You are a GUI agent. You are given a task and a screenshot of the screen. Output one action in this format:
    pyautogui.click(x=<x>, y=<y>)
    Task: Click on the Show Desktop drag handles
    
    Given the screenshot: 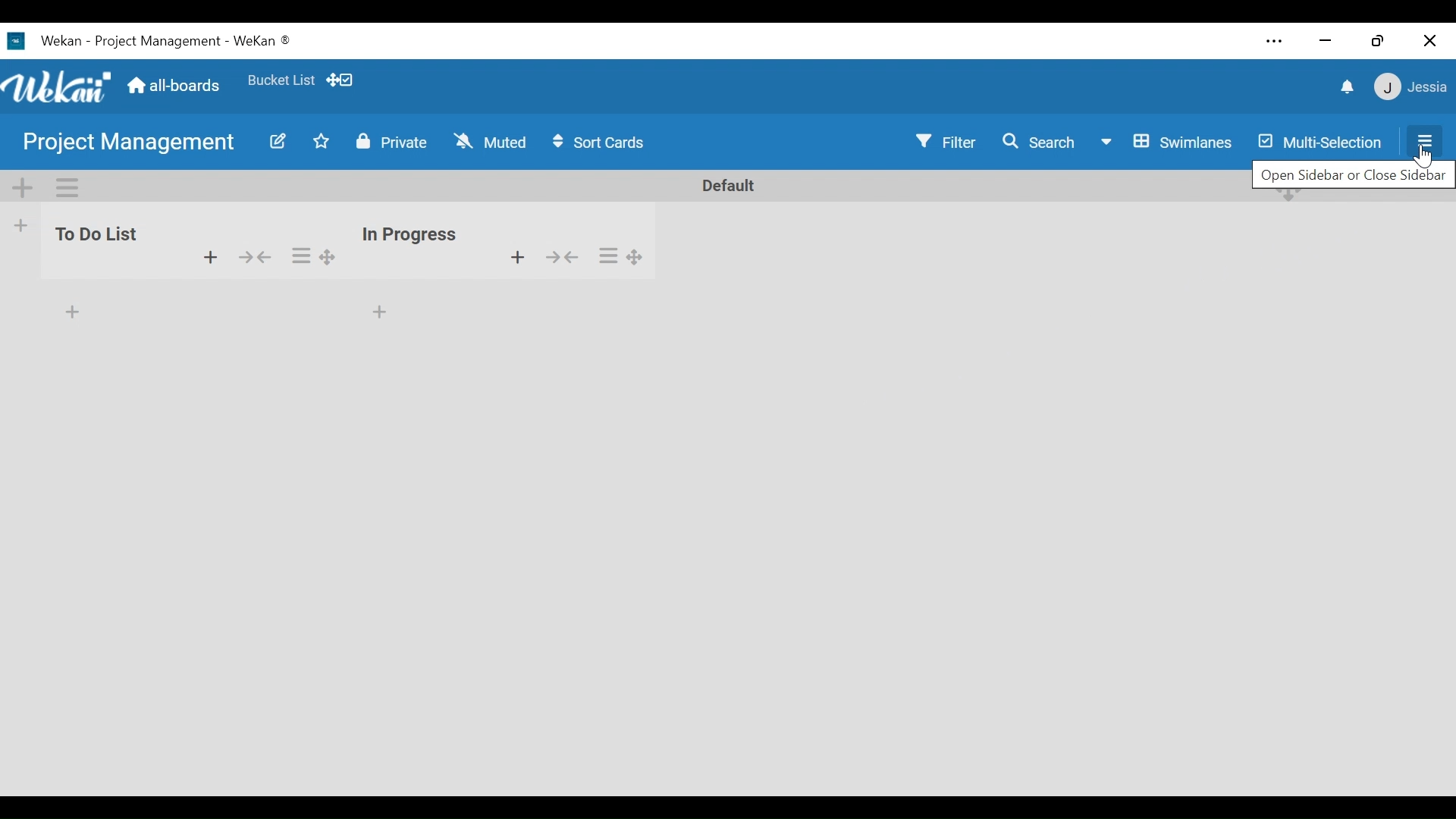 What is the action you would take?
    pyautogui.click(x=344, y=80)
    